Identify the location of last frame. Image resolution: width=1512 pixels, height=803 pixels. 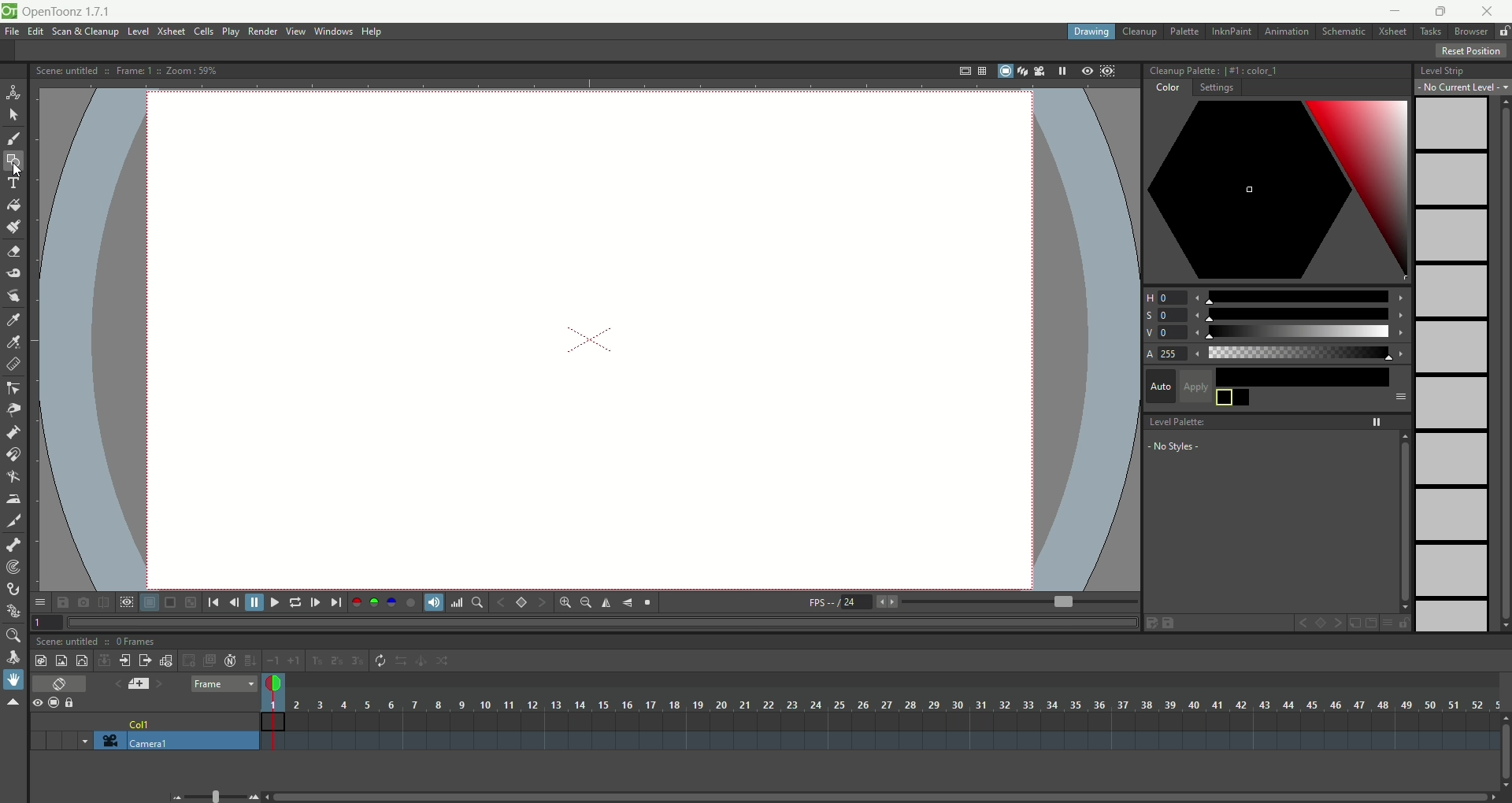
(338, 602).